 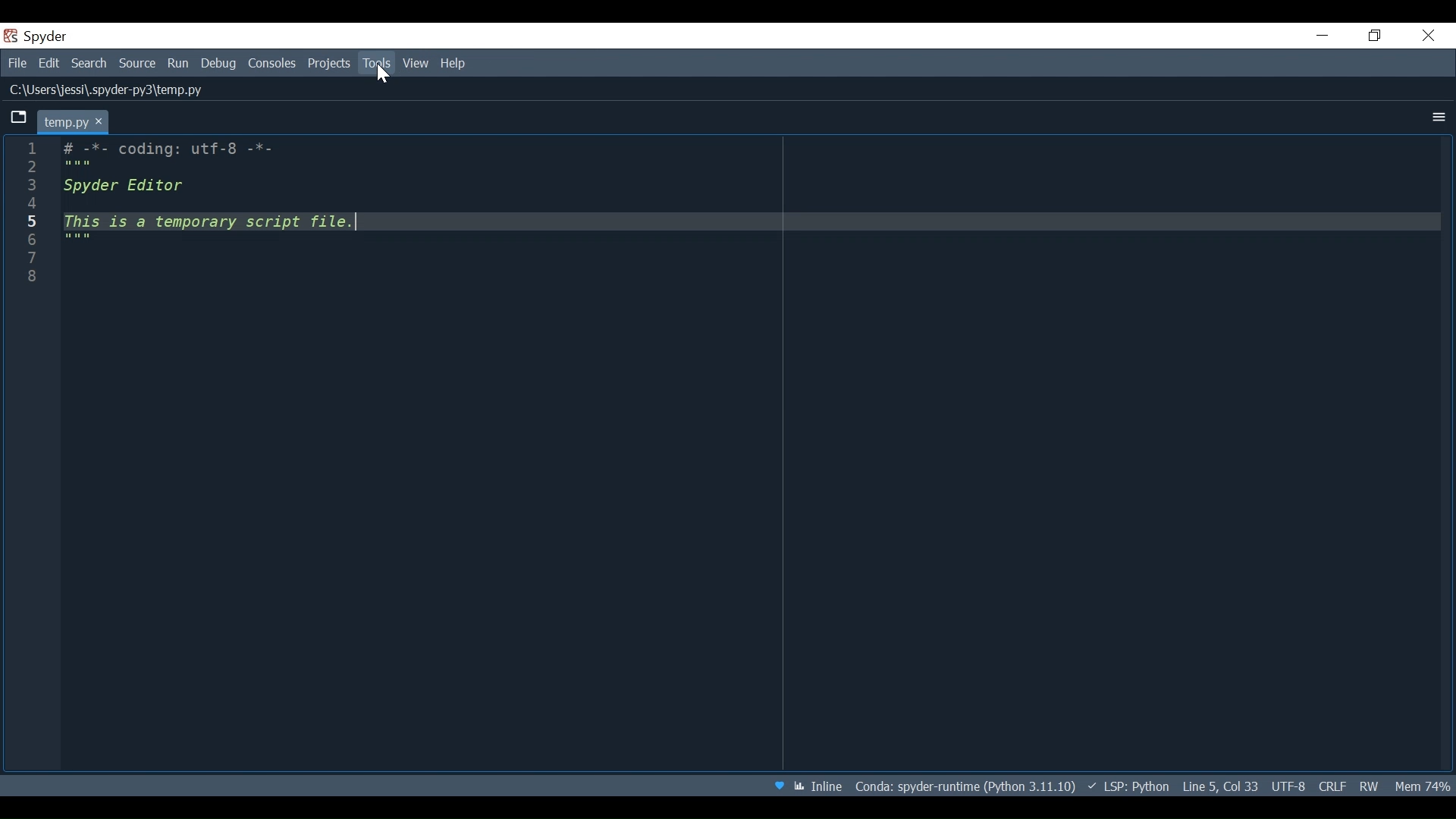 I want to click on Tools, so click(x=375, y=63).